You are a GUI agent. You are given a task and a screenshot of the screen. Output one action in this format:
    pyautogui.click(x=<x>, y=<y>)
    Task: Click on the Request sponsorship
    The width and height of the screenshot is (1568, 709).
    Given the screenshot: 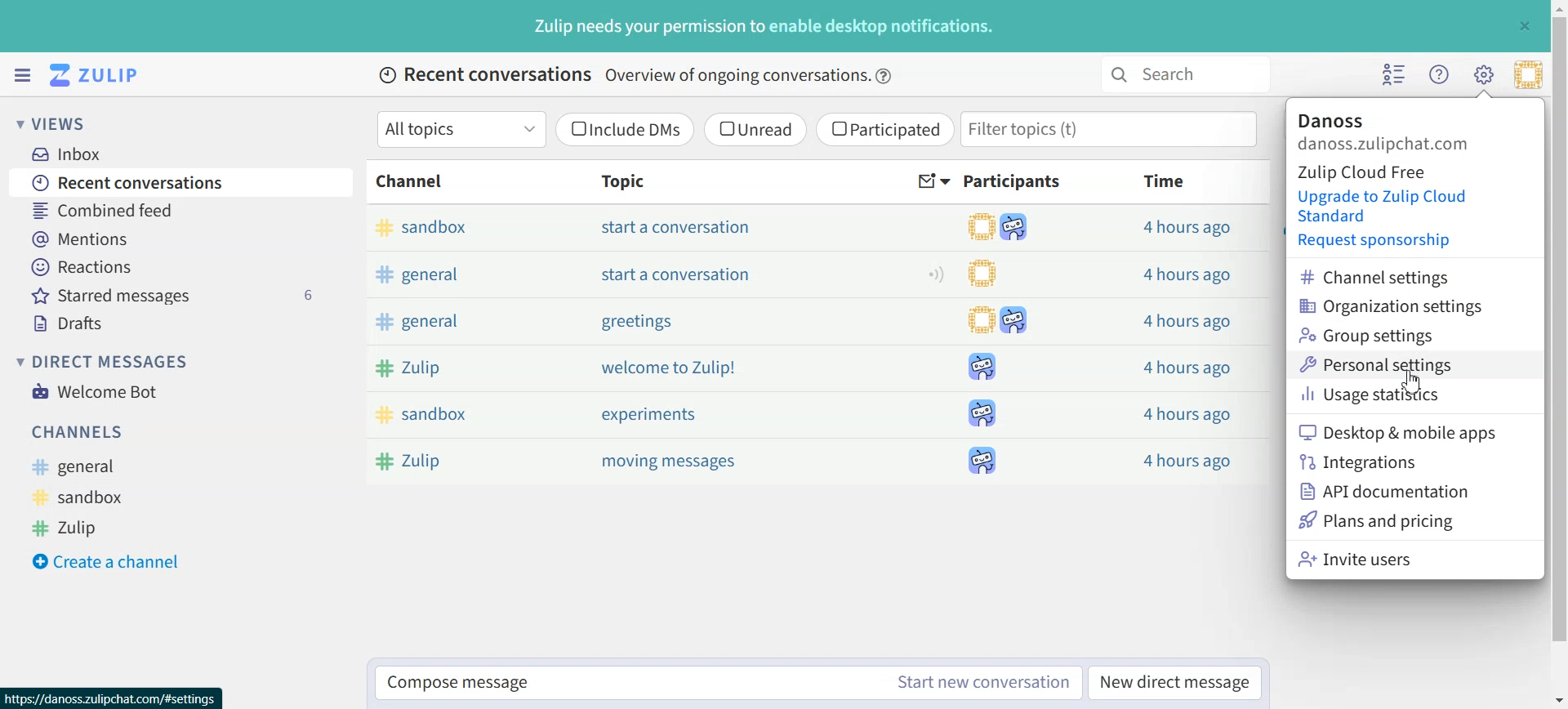 What is the action you would take?
    pyautogui.click(x=1370, y=240)
    